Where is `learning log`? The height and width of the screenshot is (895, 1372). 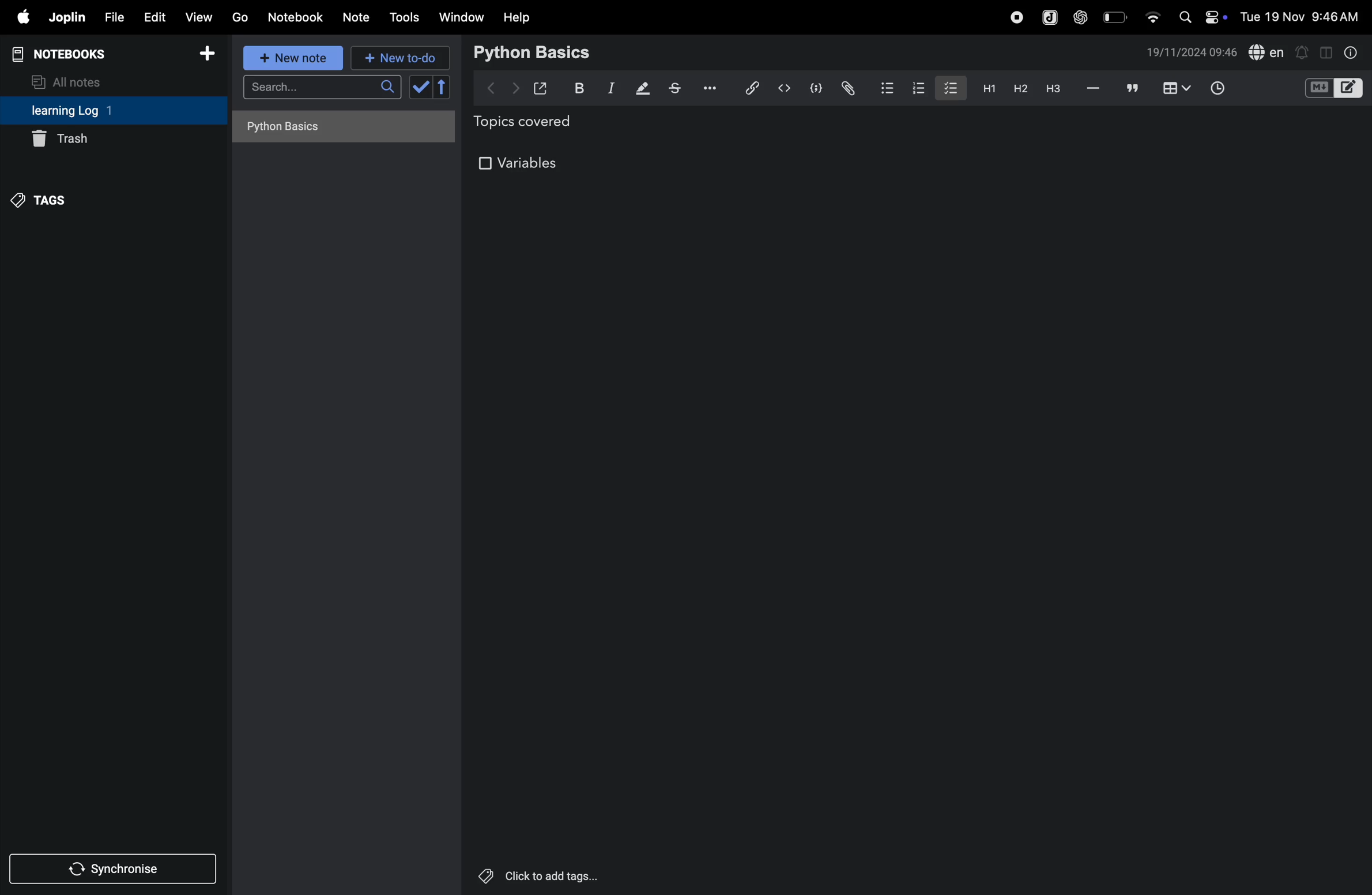
learning log is located at coordinates (88, 111).